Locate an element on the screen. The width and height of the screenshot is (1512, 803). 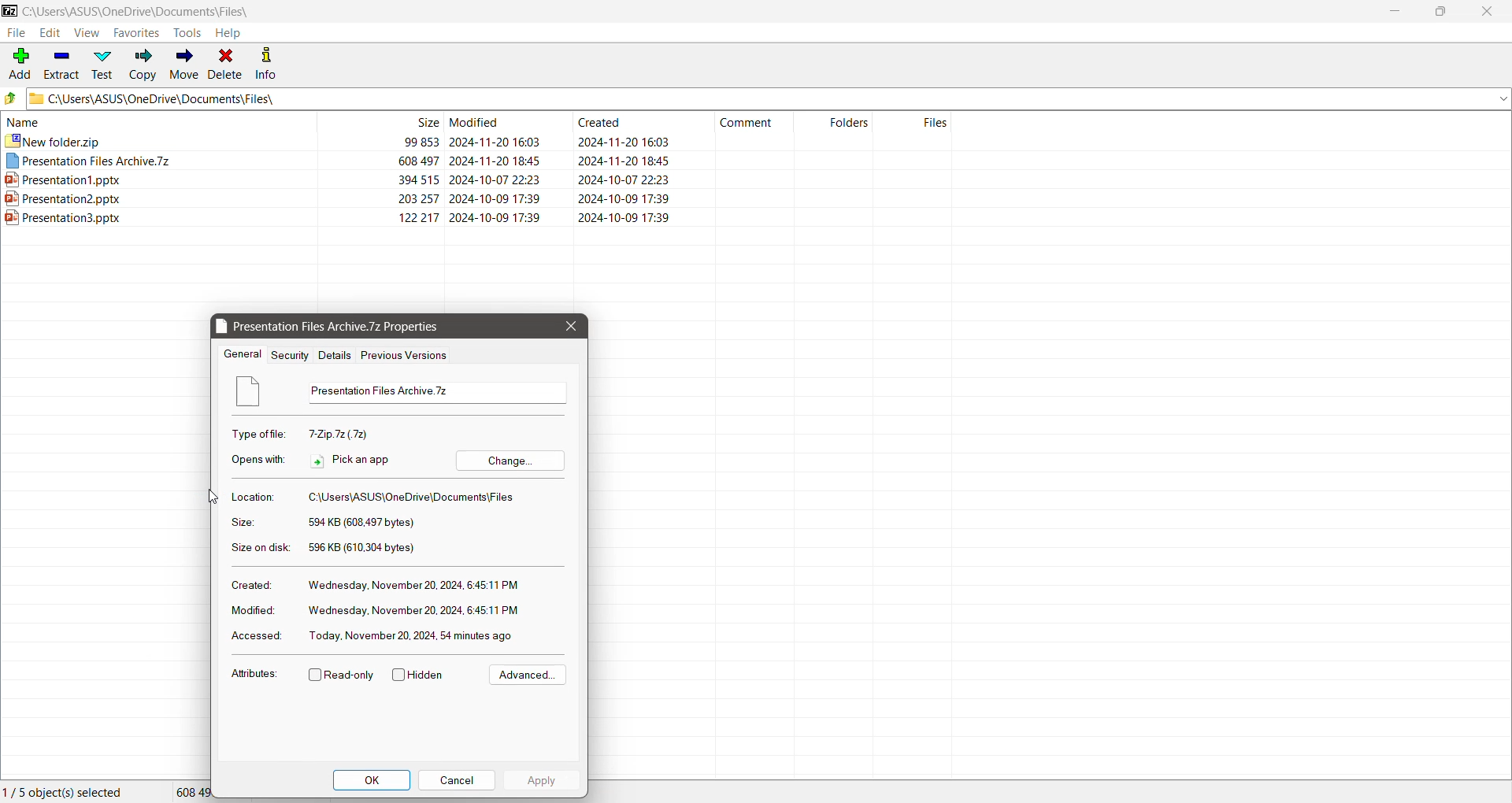
modified is located at coordinates (502, 121).